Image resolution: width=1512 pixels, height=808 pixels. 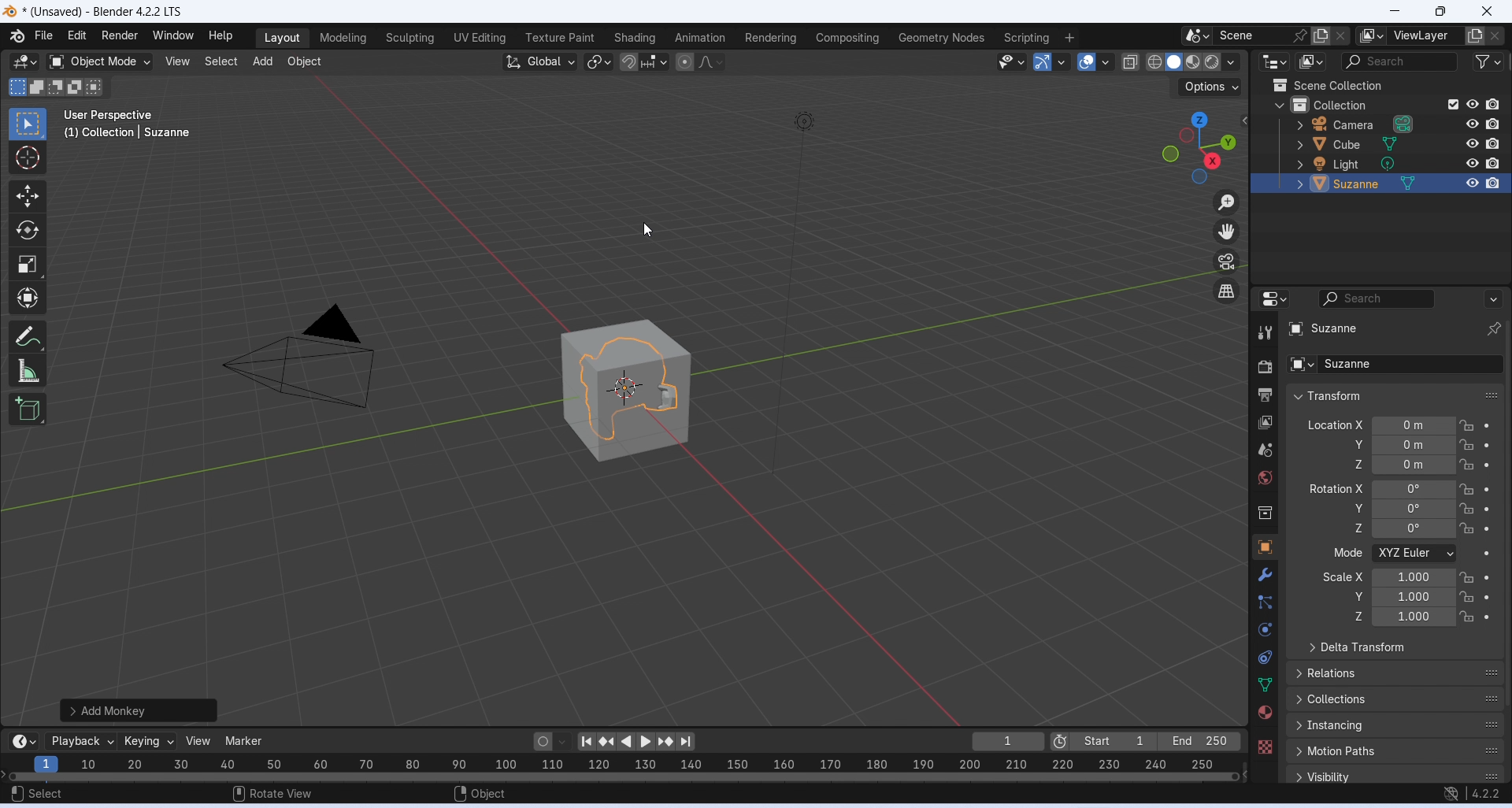 What do you see at coordinates (274, 792) in the screenshot?
I see `use mouse scroll to "rotate view"` at bounding box center [274, 792].